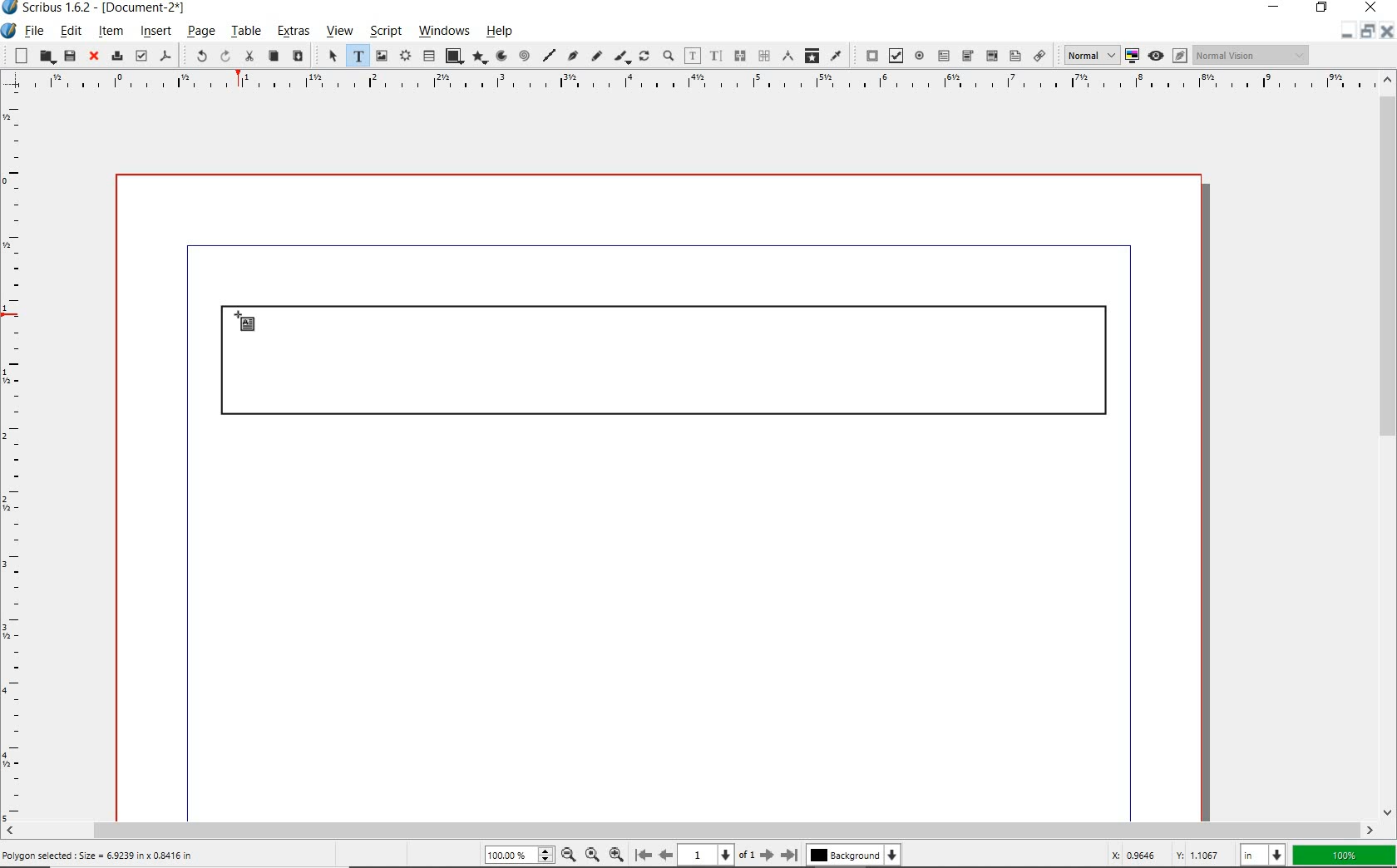  I want to click on file, so click(35, 31).